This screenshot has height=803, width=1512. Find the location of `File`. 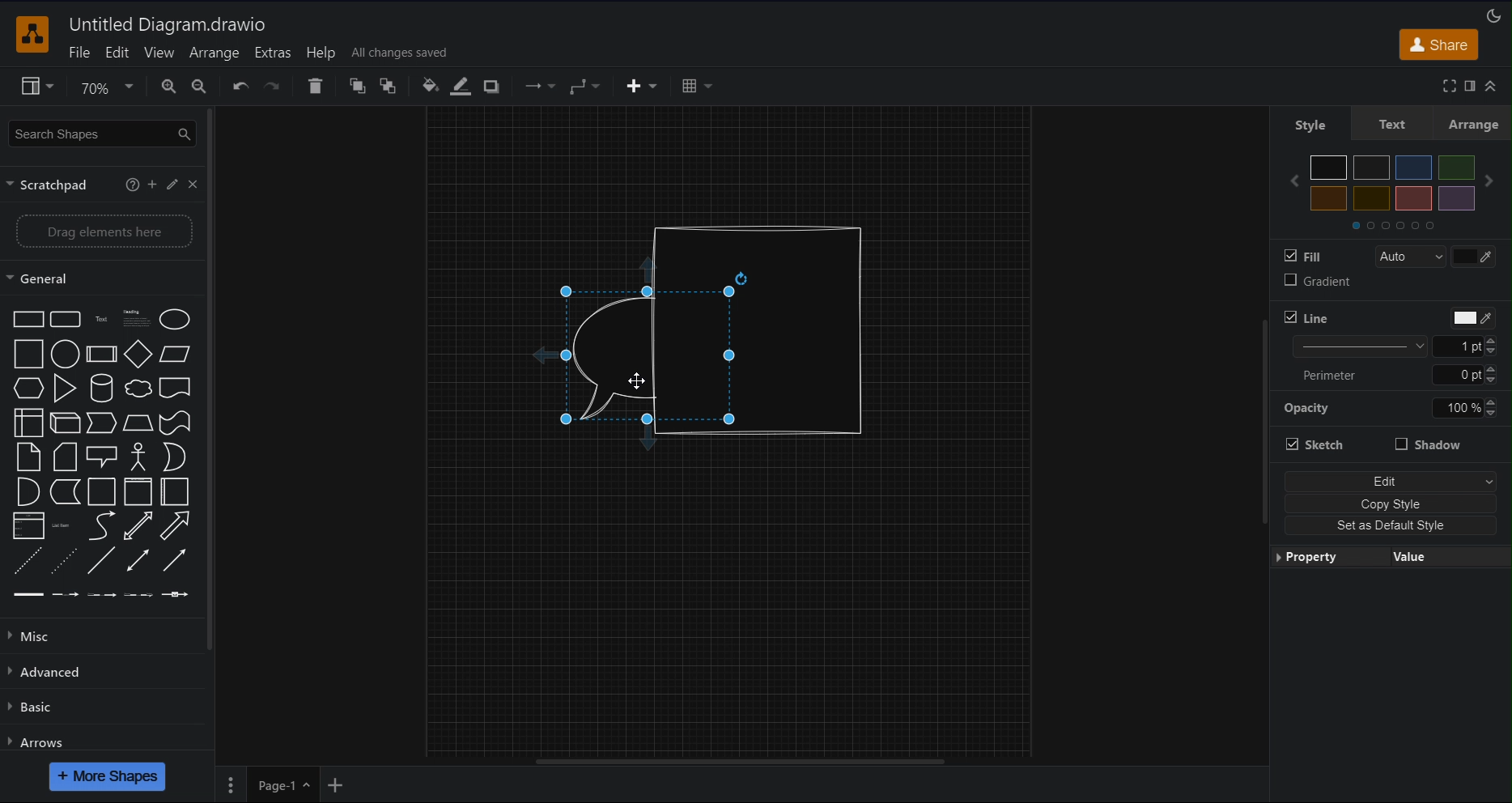

File is located at coordinates (78, 53).